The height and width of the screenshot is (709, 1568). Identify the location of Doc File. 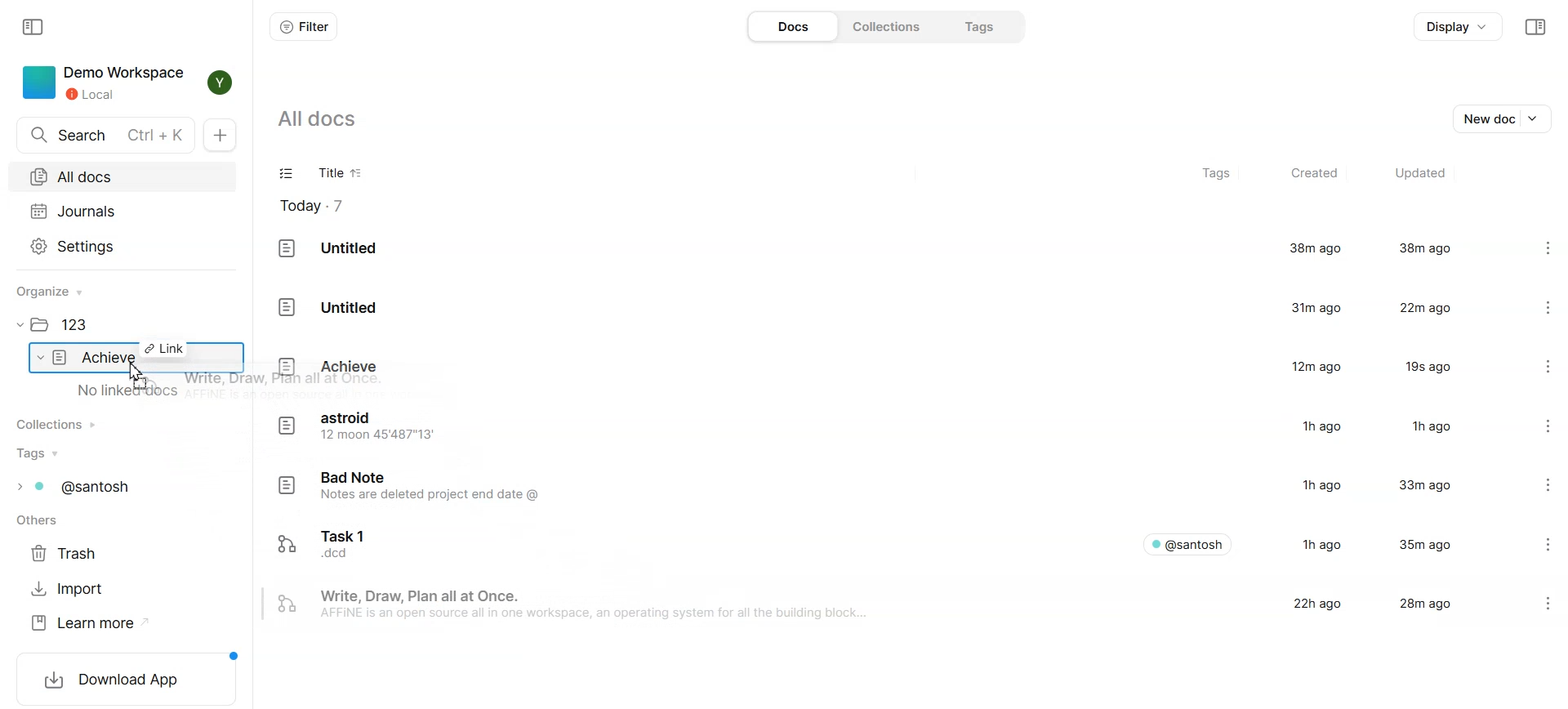
(878, 249).